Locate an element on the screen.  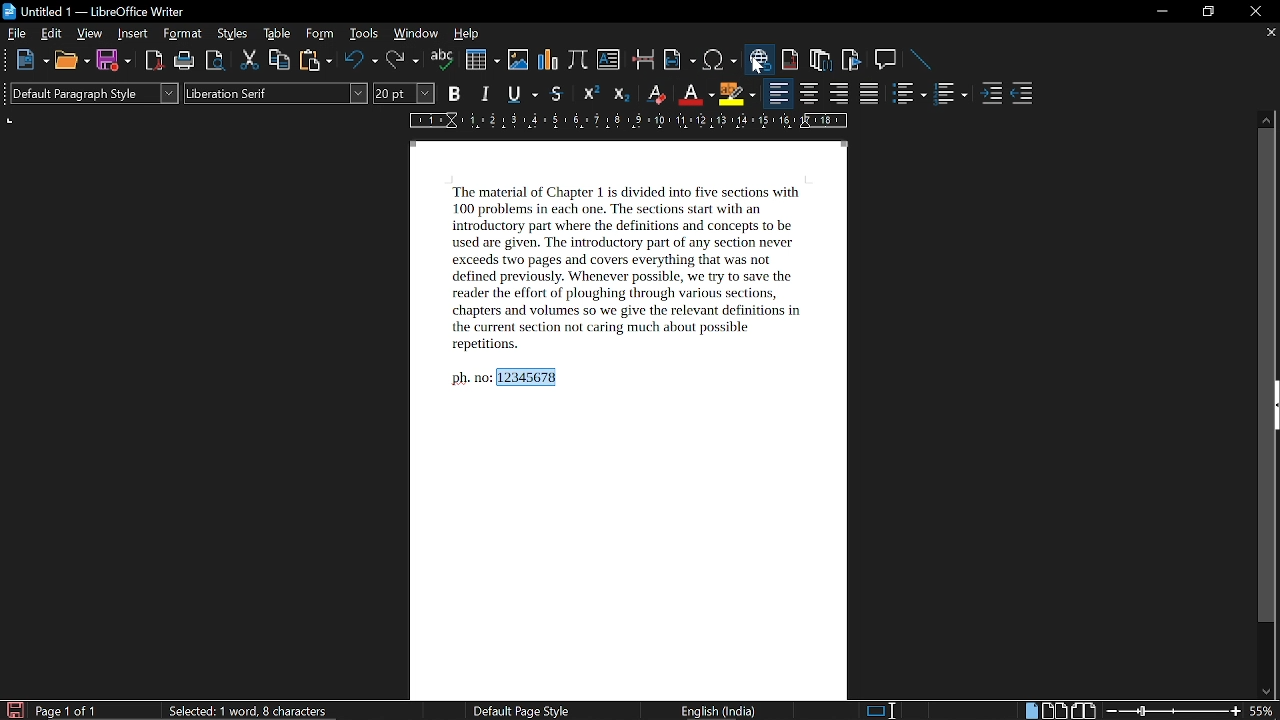
change zoom is located at coordinates (1174, 712).